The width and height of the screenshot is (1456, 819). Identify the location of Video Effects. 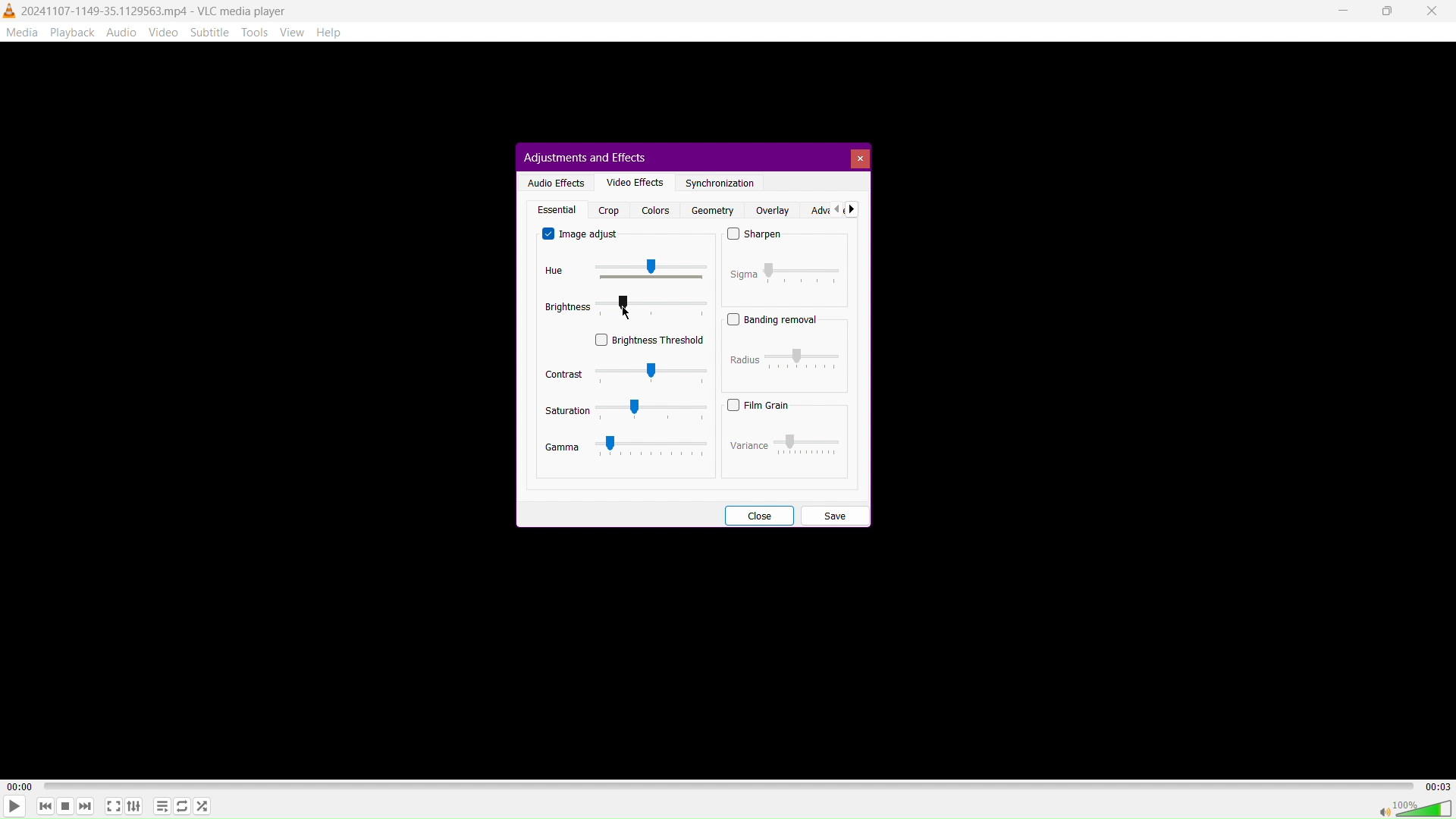
(632, 181).